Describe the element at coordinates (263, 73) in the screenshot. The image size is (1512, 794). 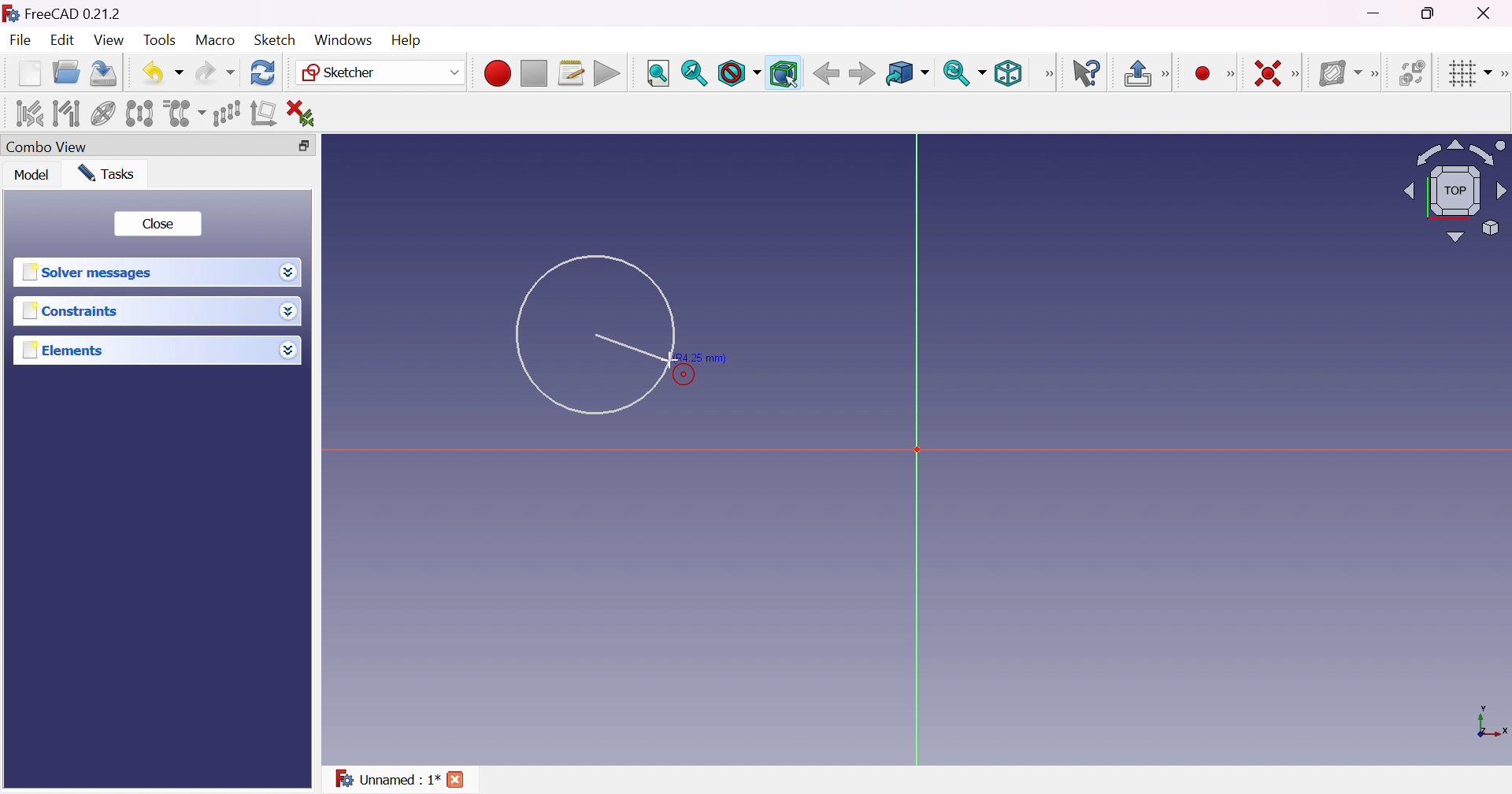
I see `Refresh` at that location.